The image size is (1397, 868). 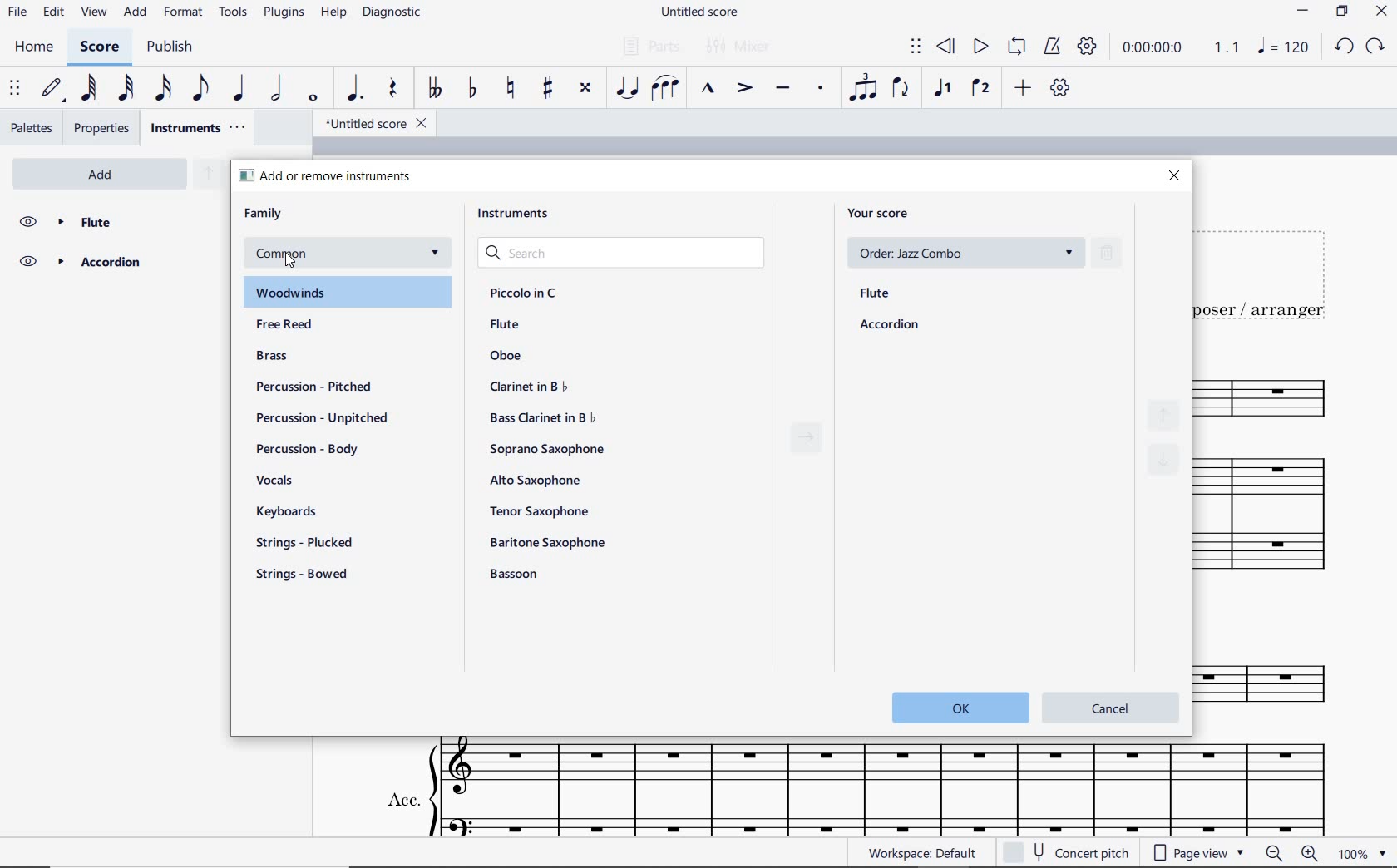 I want to click on woodwinds, so click(x=339, y=293).